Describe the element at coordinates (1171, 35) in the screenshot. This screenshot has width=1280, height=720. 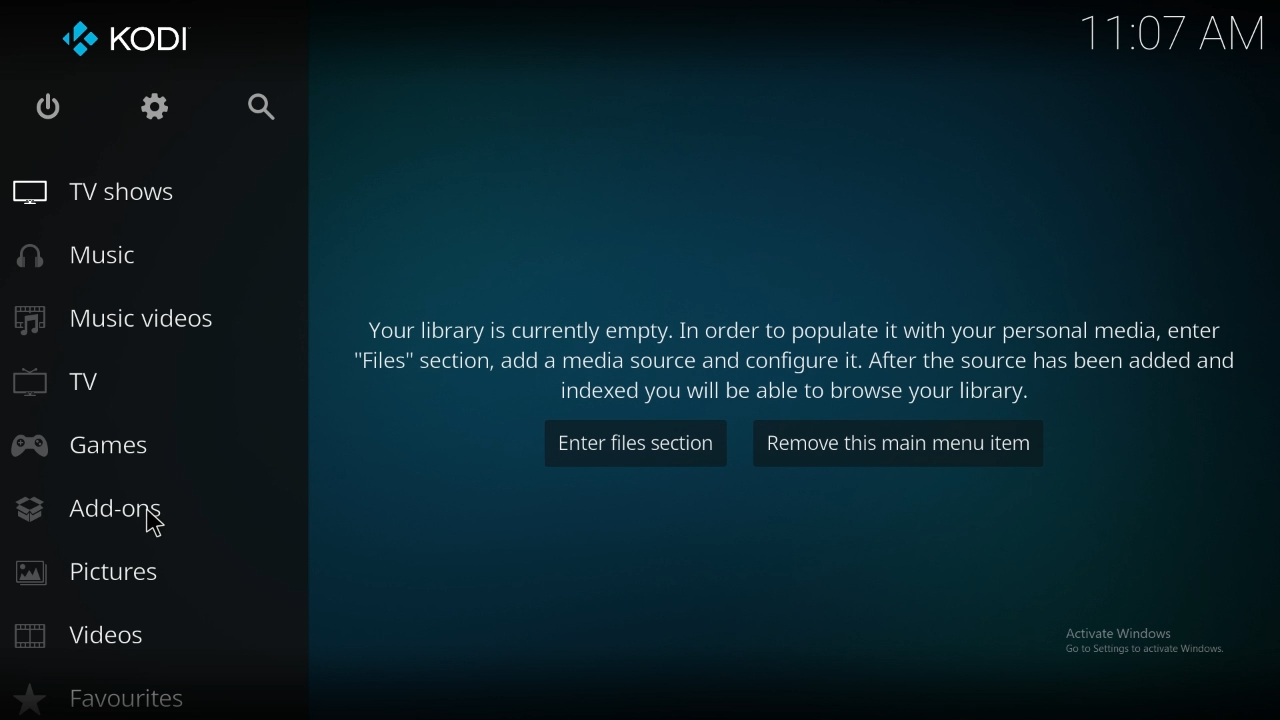
I see `time` at that location.